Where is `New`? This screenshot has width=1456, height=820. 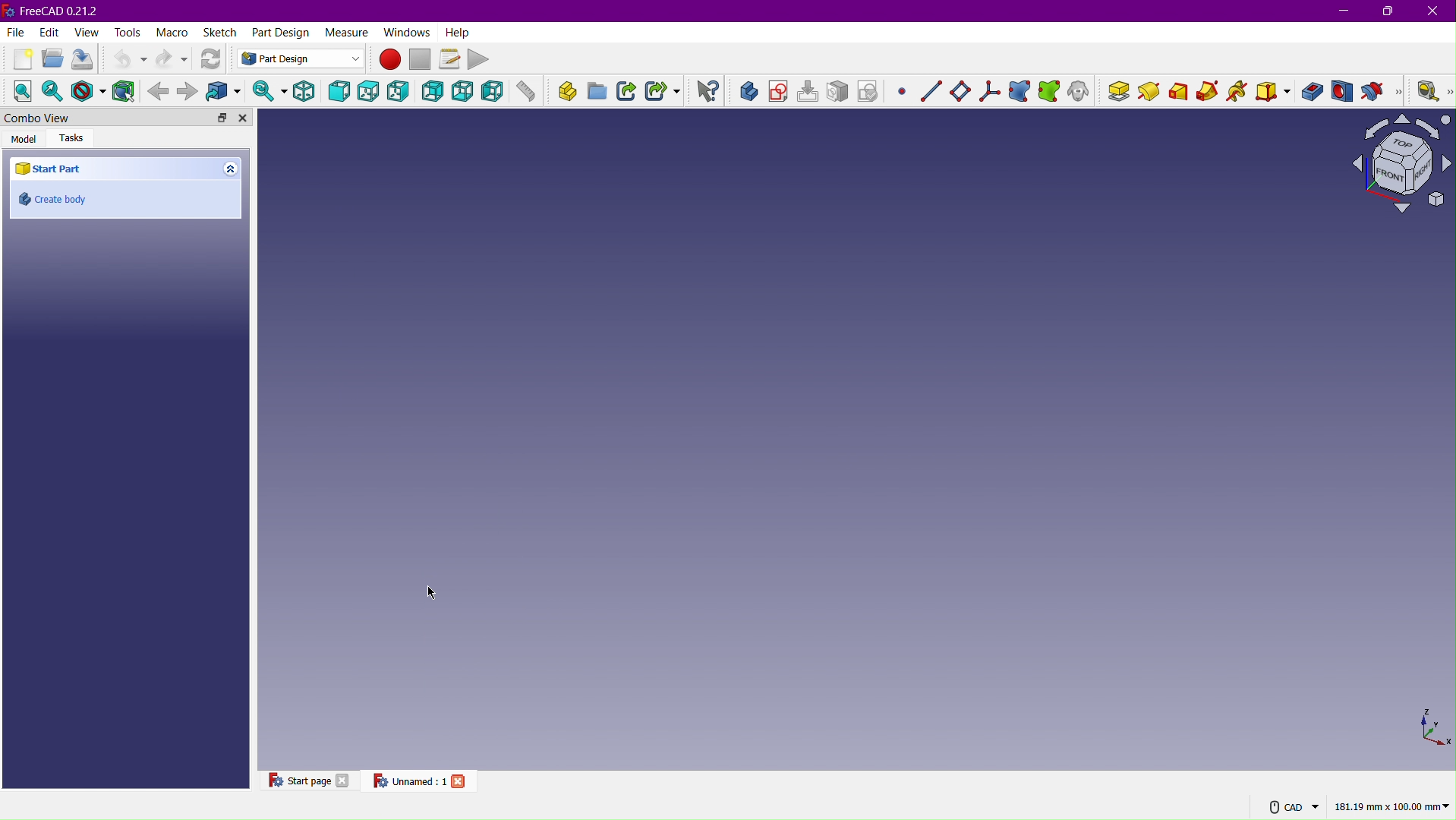 New is located at coordinates (24, 59).